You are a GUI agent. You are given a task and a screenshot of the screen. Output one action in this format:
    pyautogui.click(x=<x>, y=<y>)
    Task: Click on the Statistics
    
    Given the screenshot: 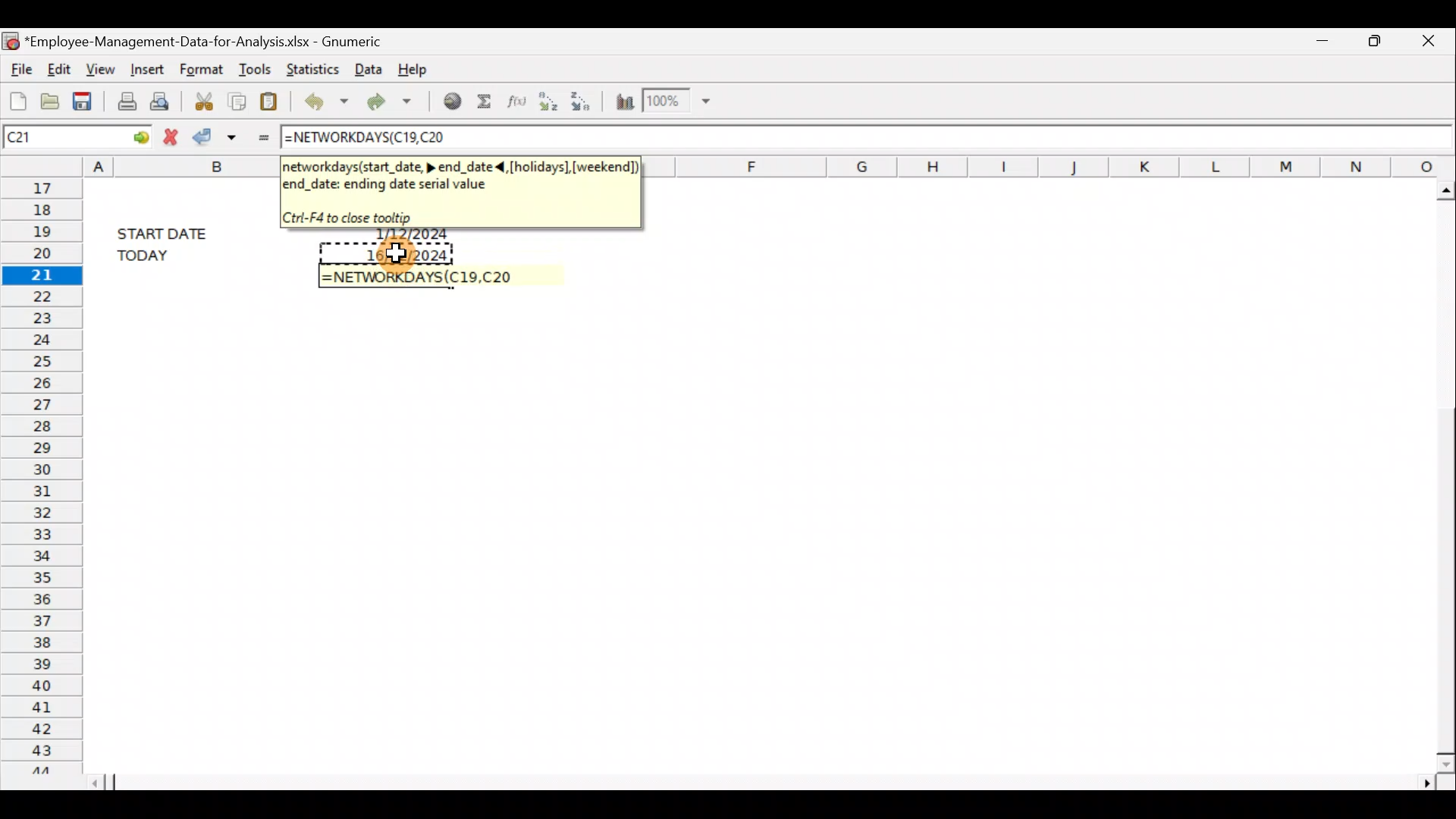 What is the action you would take?
    pyautogui.click(x=309, y=67)
    